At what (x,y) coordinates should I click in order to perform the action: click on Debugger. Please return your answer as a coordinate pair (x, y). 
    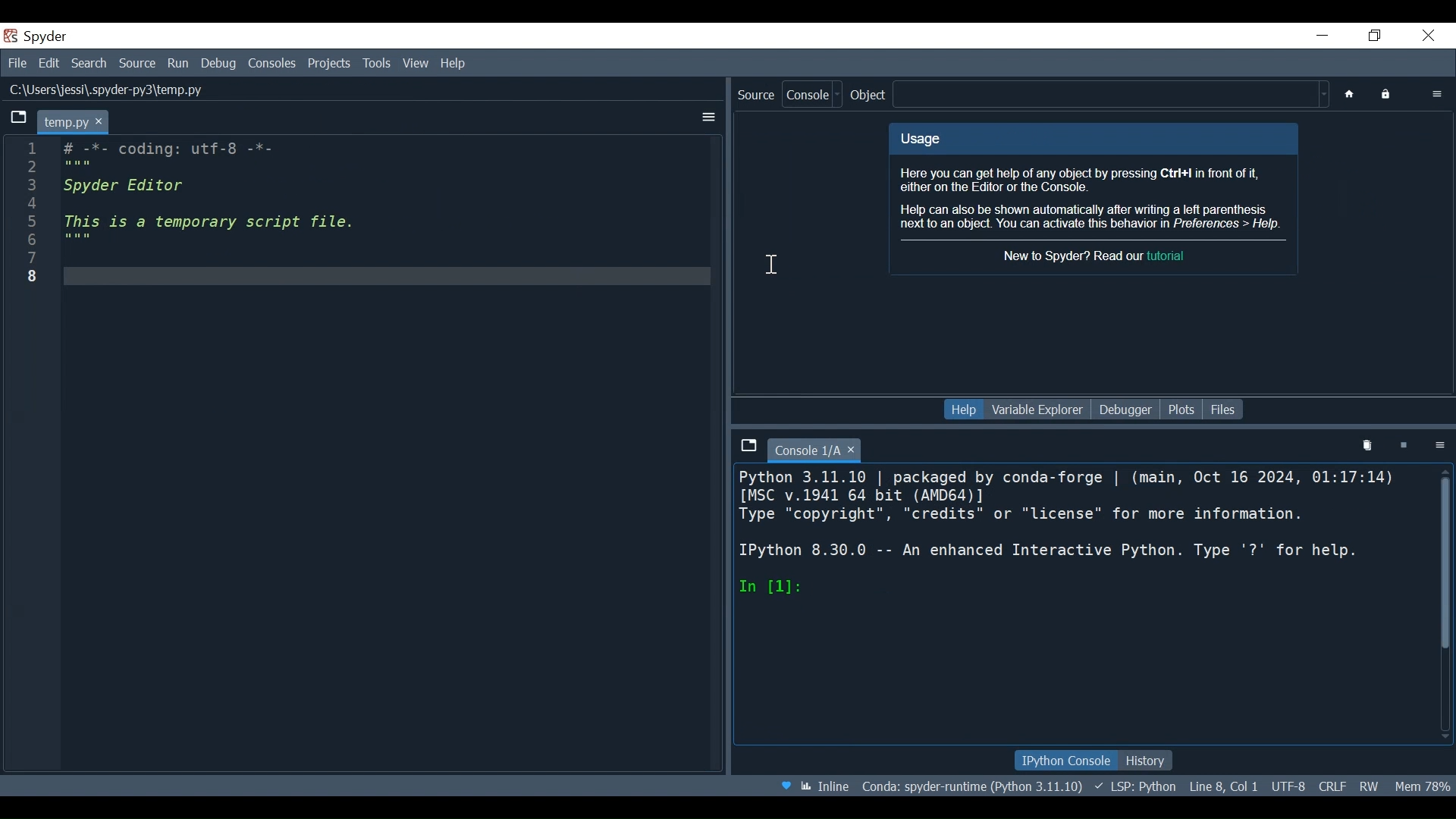
    Looking at the image, I should click on (1125, 409).